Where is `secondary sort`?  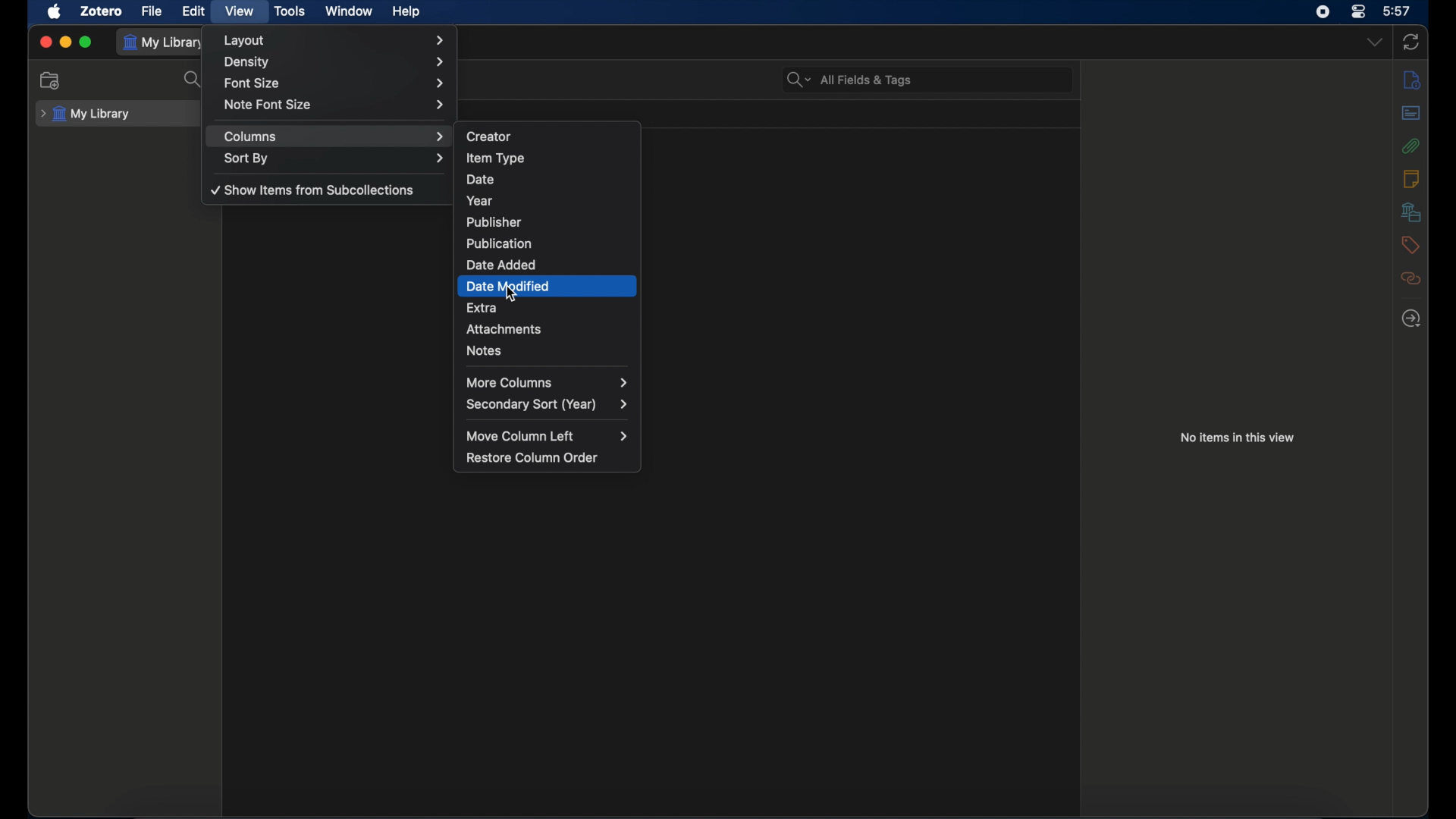 secondary sort is located at coordinates (547, 405).